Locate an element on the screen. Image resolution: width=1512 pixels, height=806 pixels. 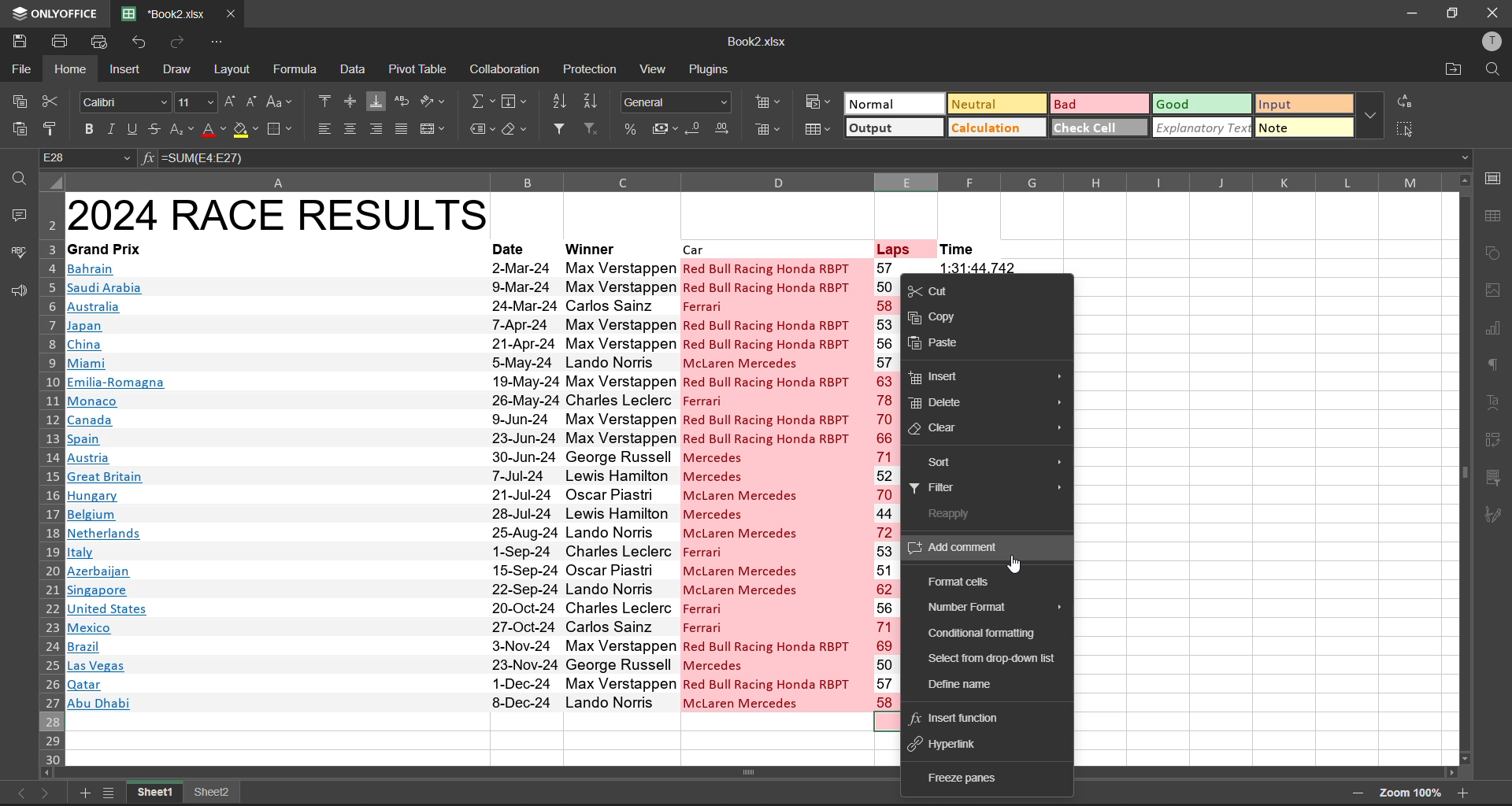
pivot table is located at coordinates (422, 70).